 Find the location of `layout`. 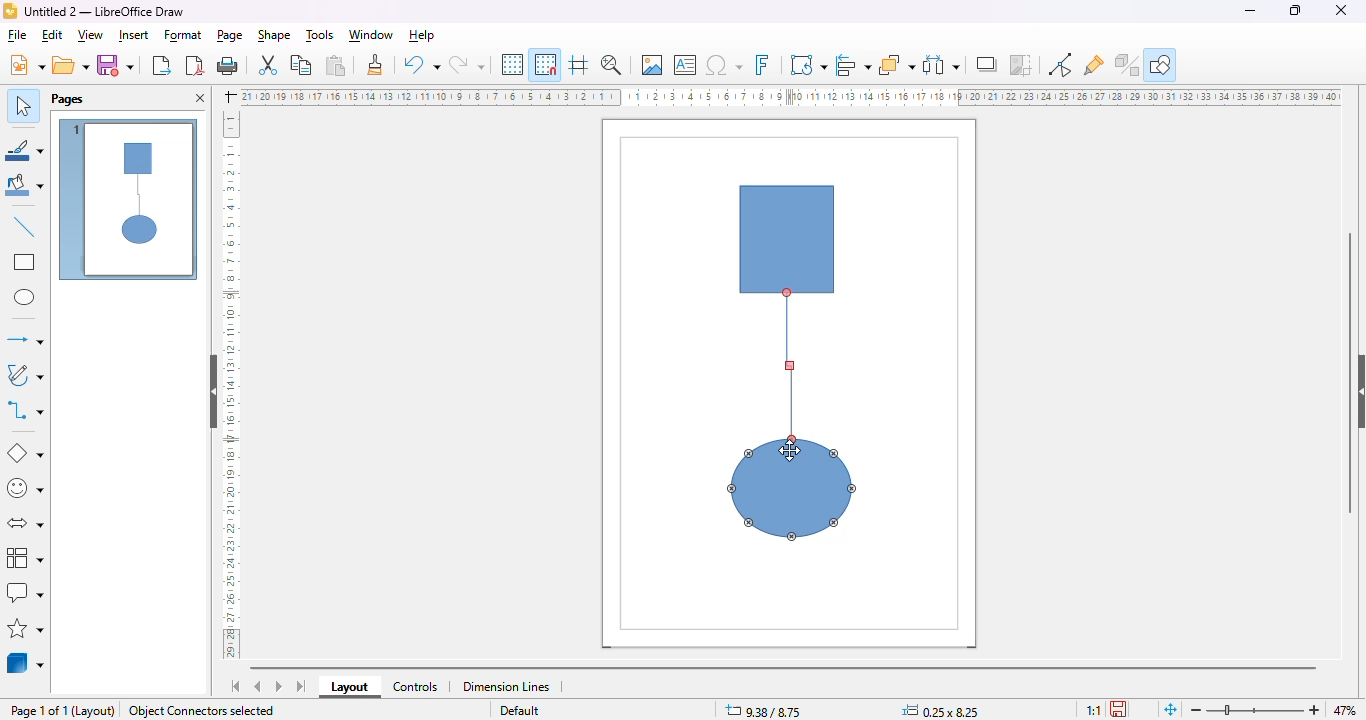

layout is located at coordinates (96, 711).